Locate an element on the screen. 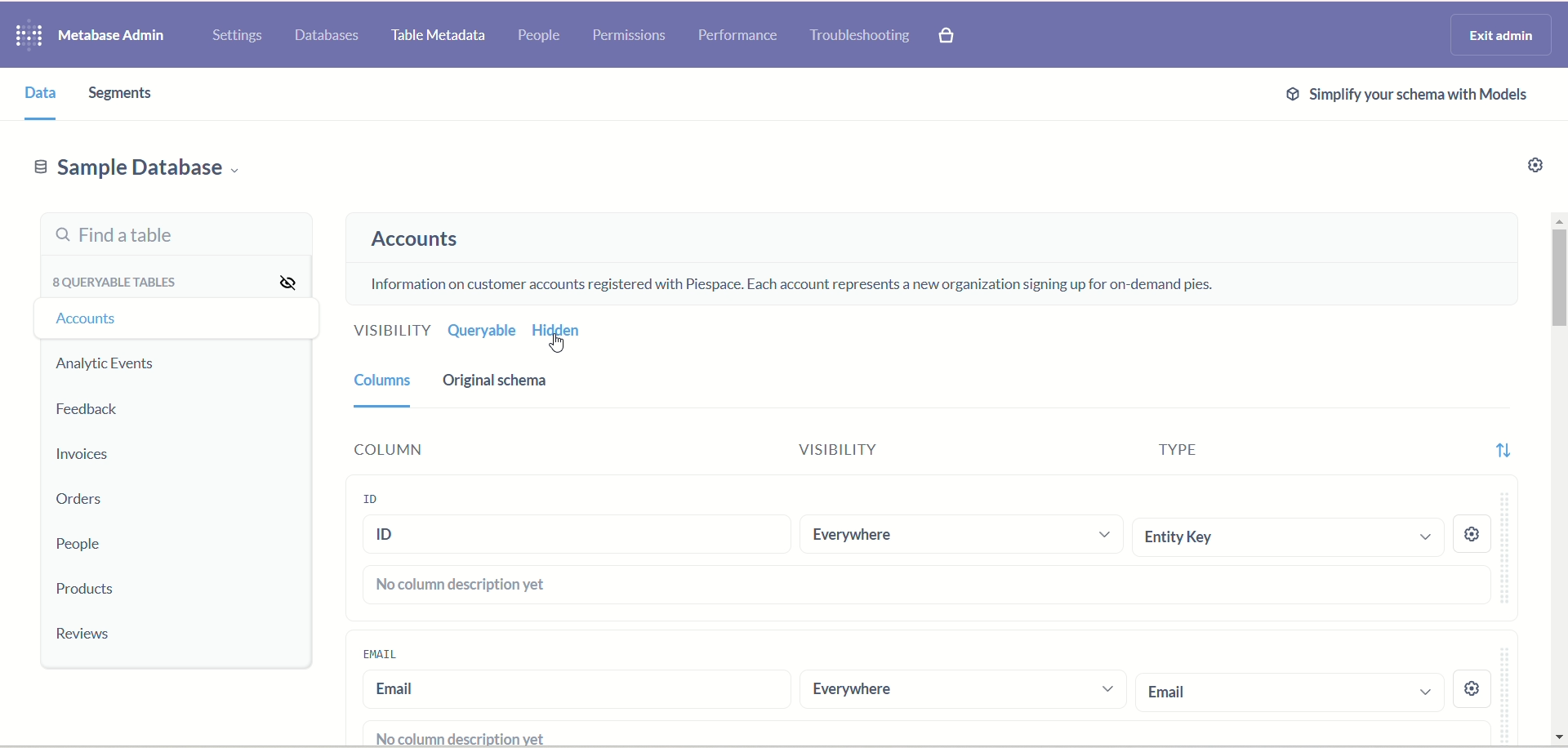  ID type is located at coordinates (1283, 535).